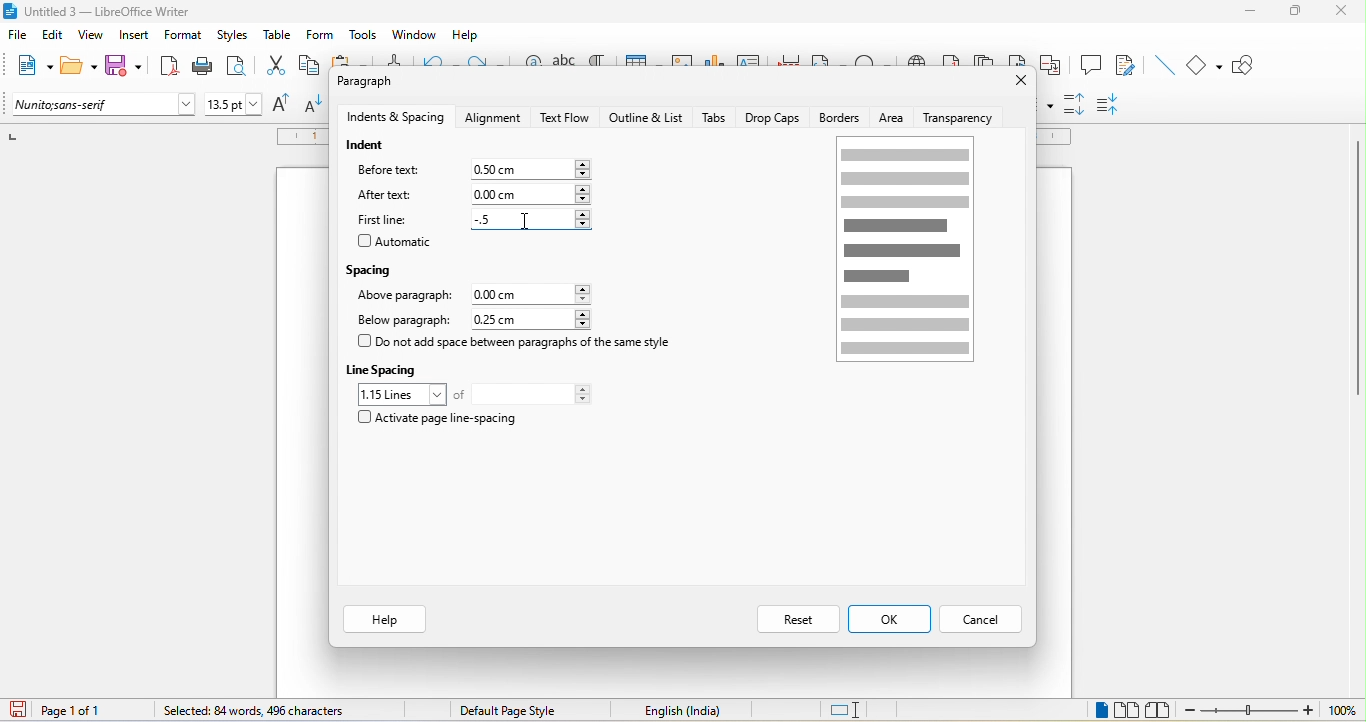 The image size is (1366, 722). What do you see at coordinates (404, 297) in the screenshot?
I see `above paragraph` at bounding box center [404, 297].